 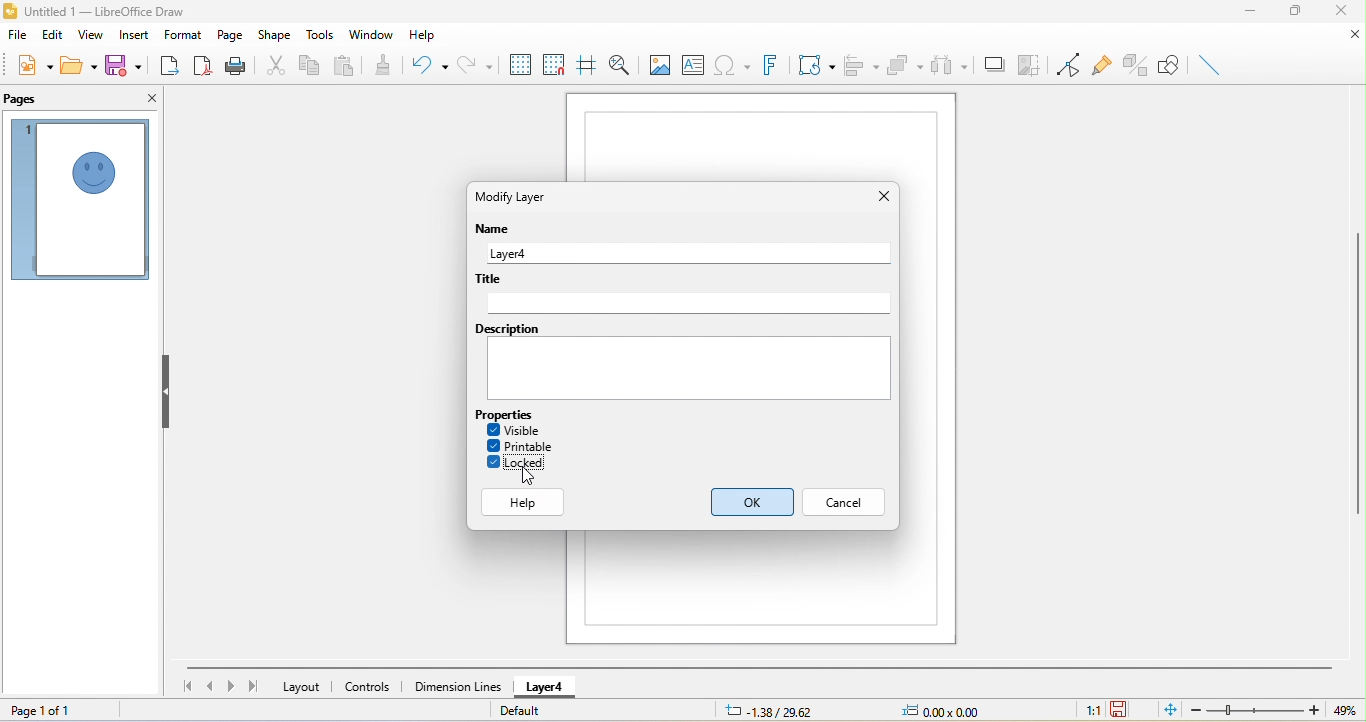 I want to click on clone formatting, so click(x=389, y=64).